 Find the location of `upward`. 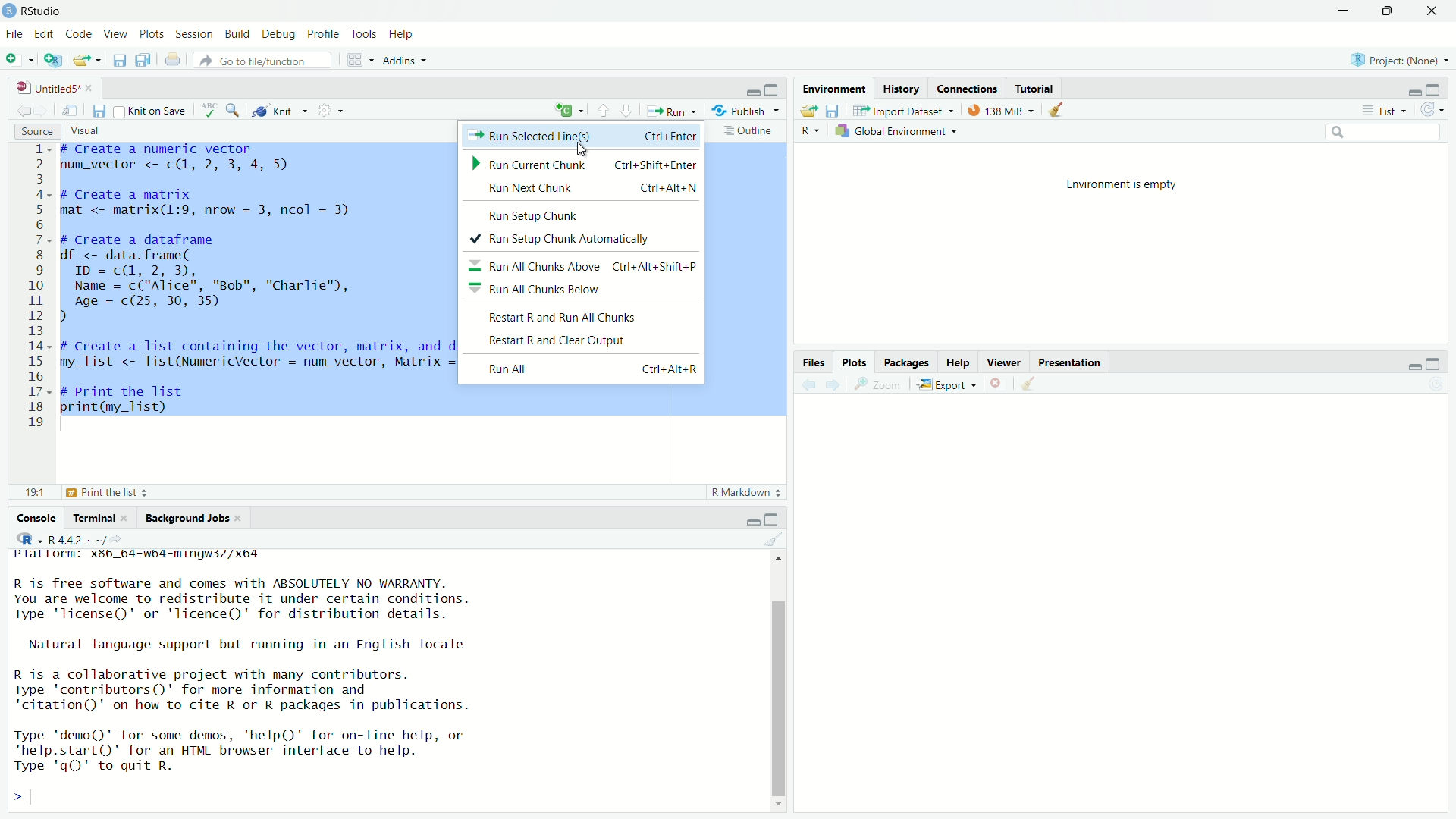

upward is located at coordinates (607, 110).